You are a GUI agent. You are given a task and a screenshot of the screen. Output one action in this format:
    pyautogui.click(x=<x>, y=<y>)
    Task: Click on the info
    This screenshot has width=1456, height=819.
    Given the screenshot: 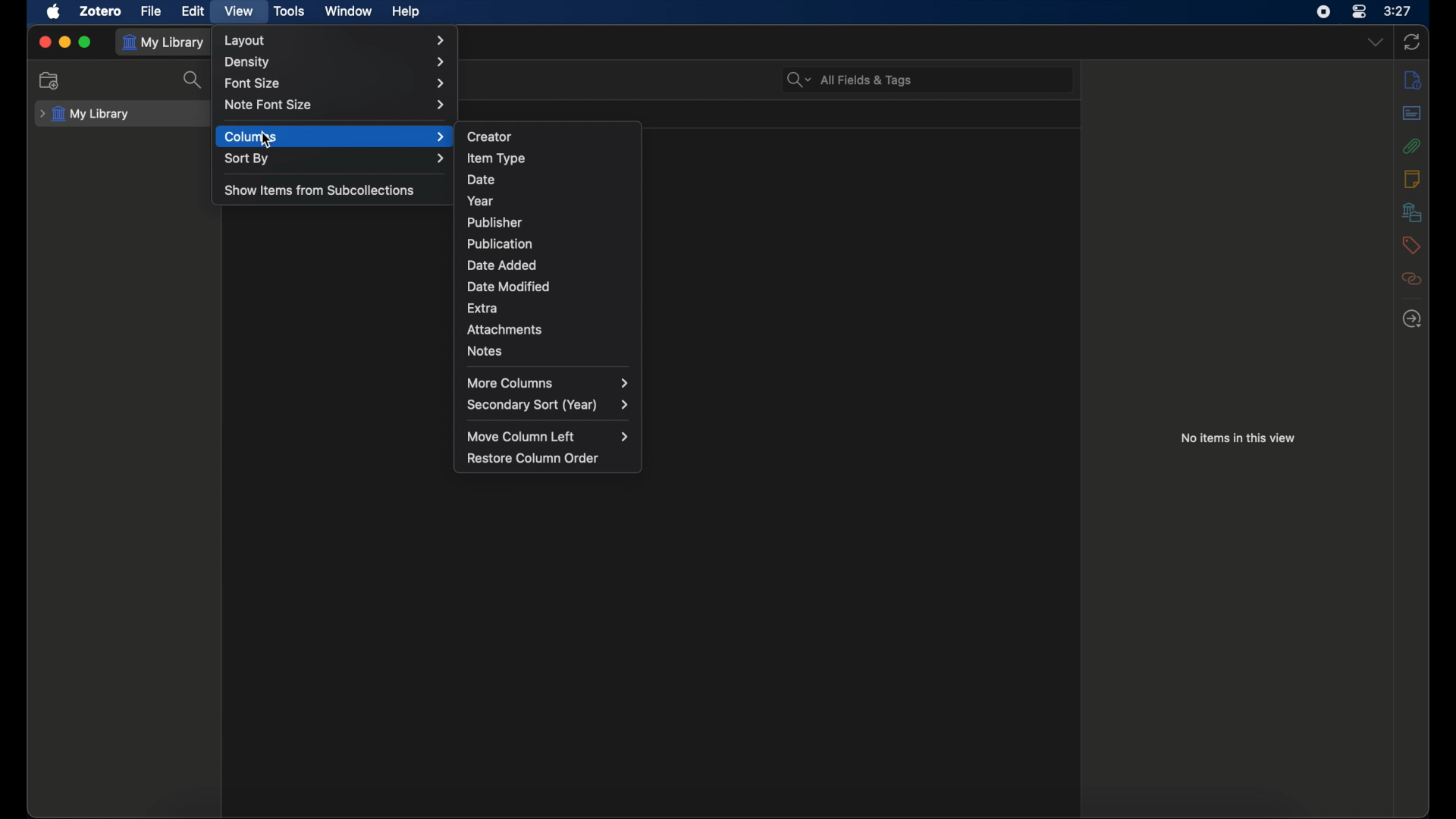 What is the action you would take?
    pyautogui.click(x=1412, y=178)
    